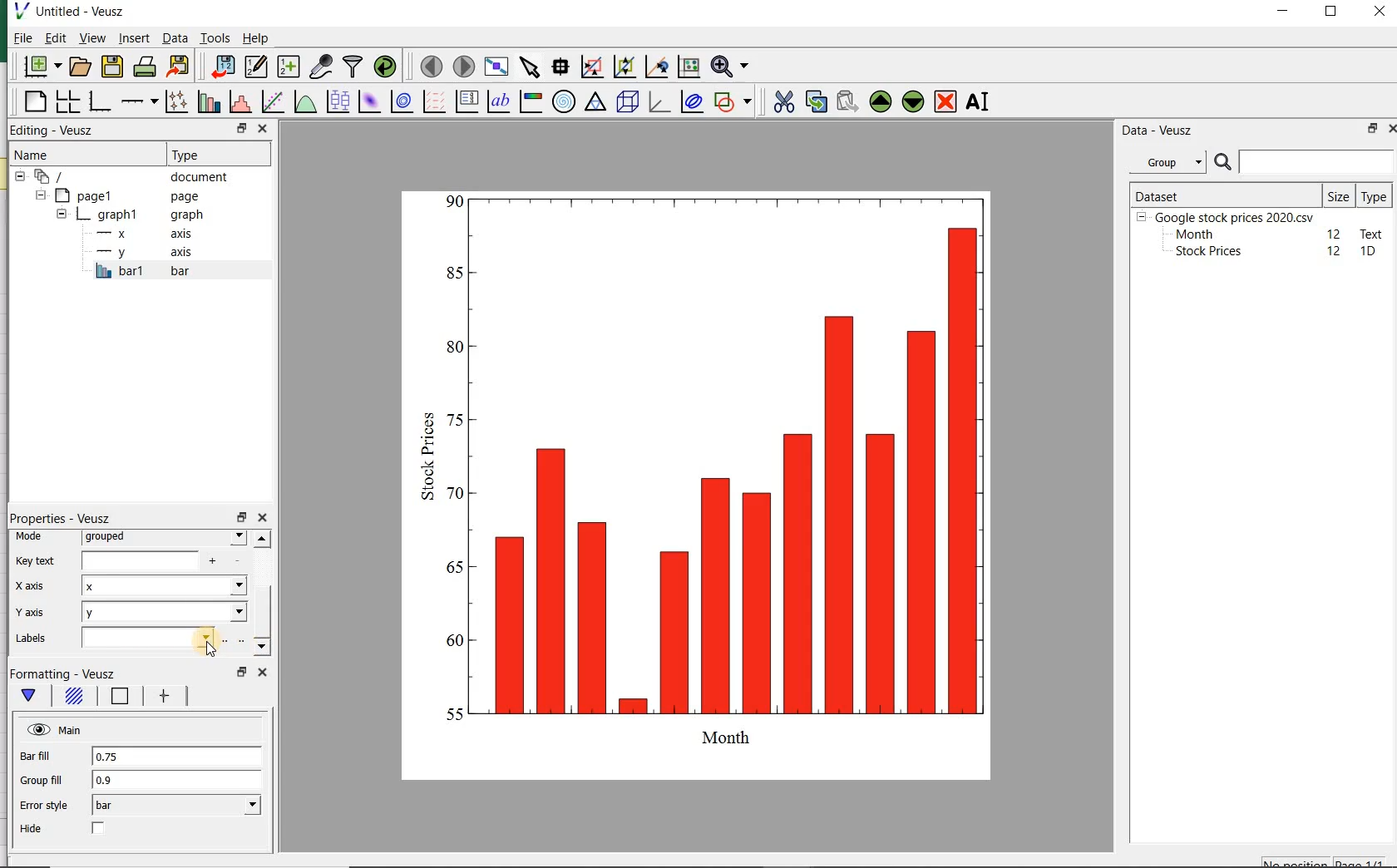 This screenshot has height=868, width=1397. Describe the element at coordinates (54, 37) in the screenshot. I see `Edit` at that location.